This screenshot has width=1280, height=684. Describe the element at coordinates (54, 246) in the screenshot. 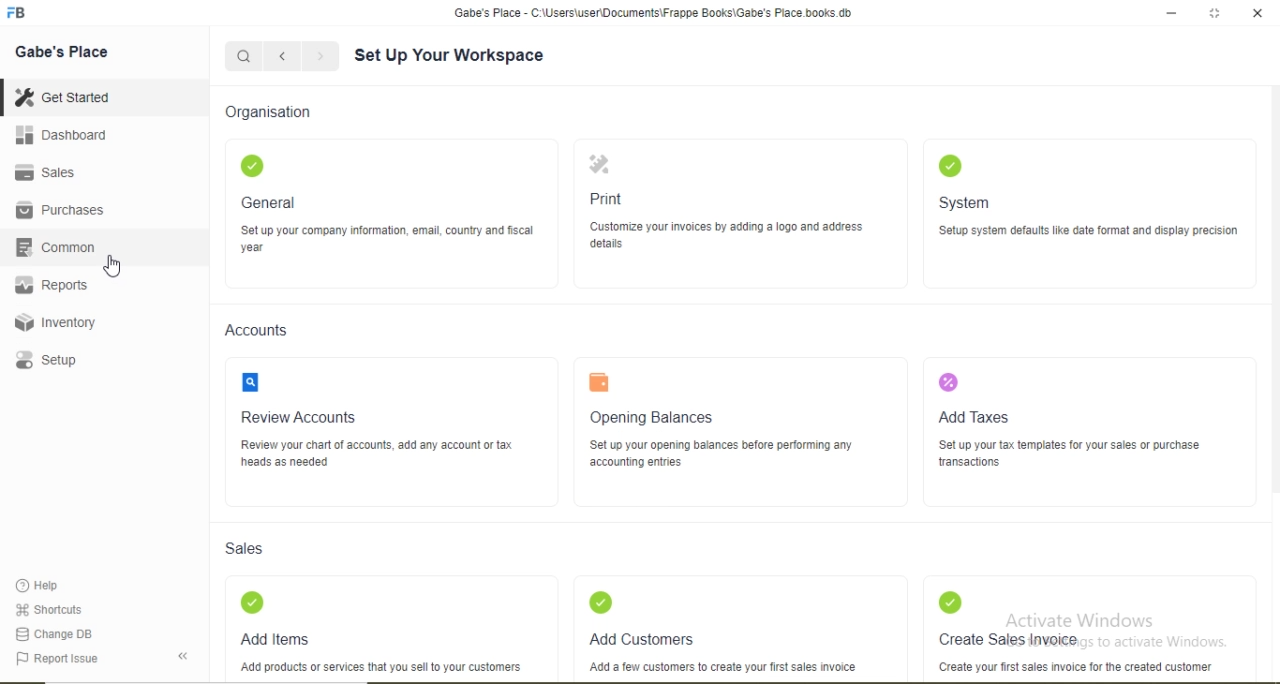

I see `Common` at that location.